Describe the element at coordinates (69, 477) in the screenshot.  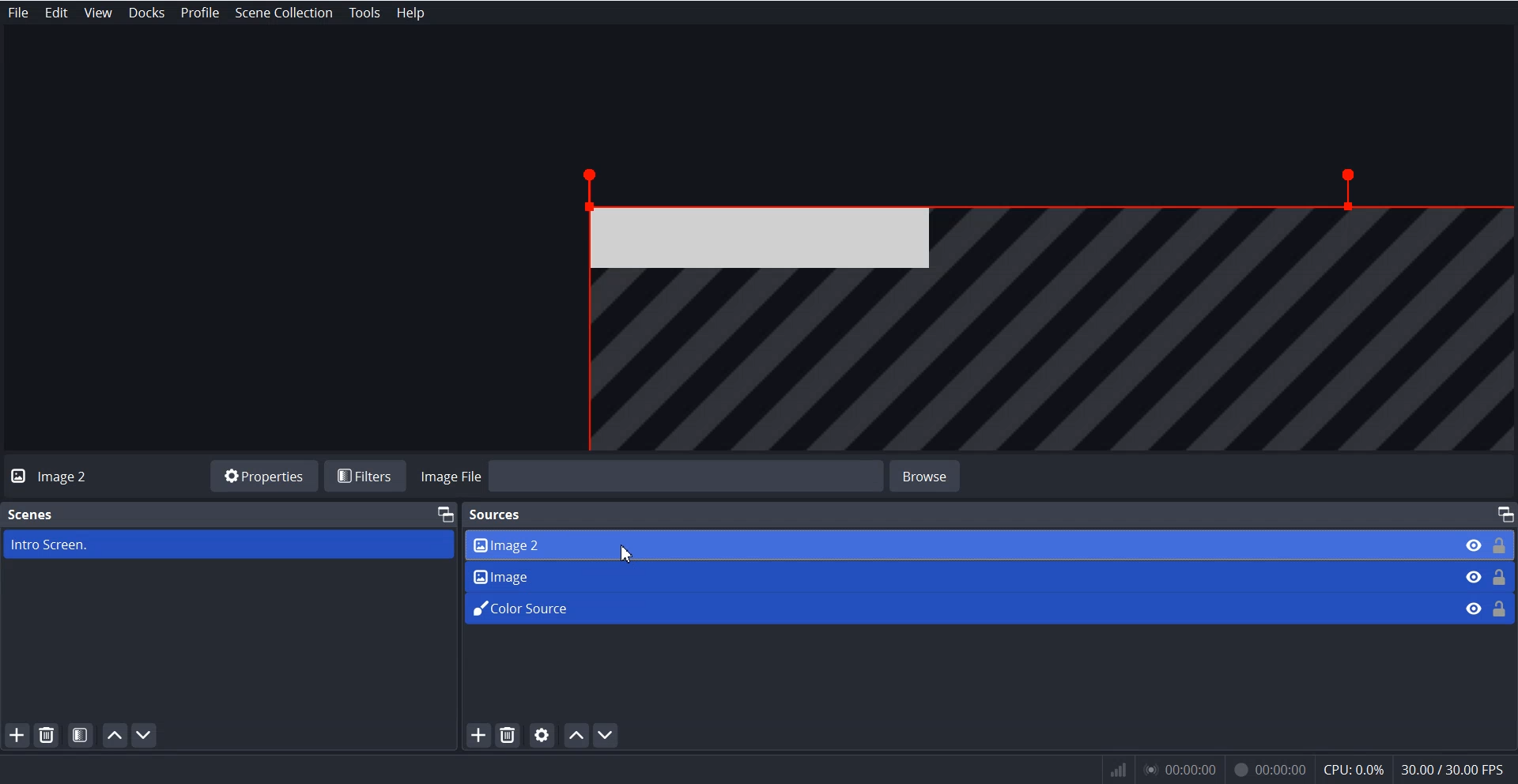
I see `Image 2` at that location.